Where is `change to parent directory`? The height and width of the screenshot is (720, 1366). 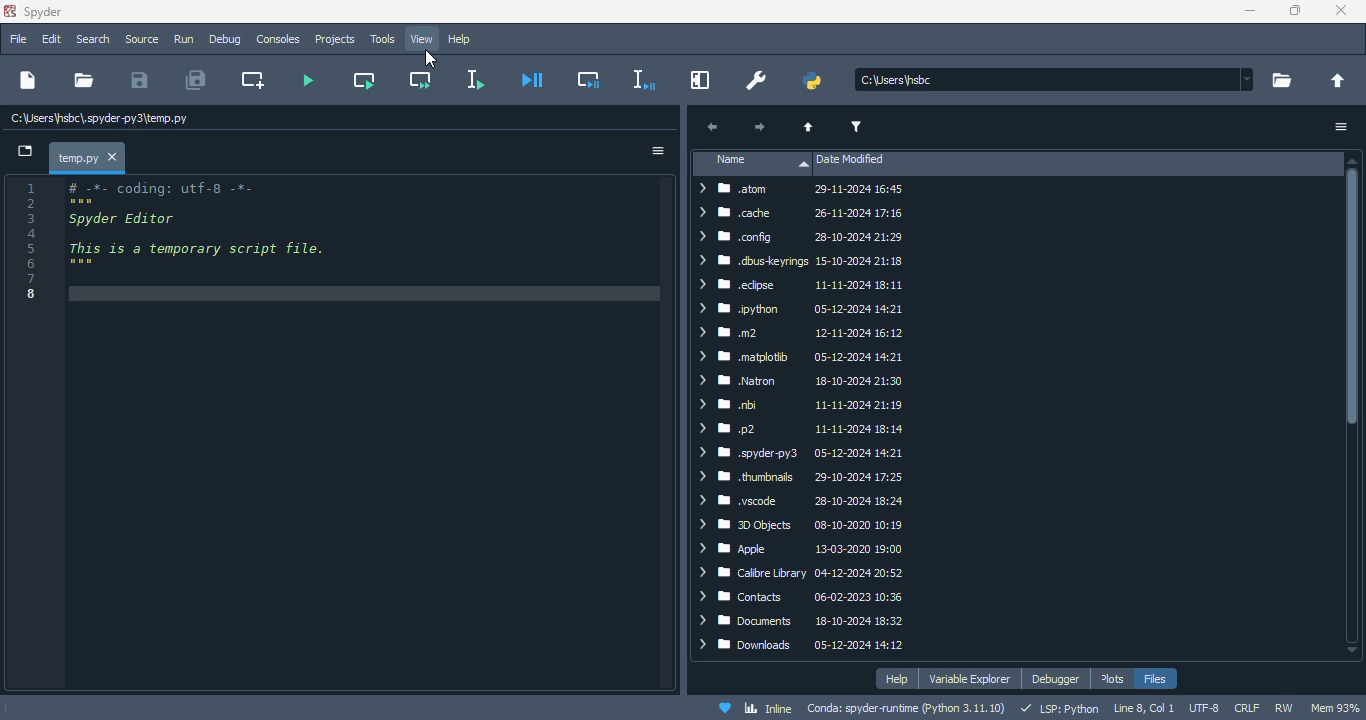 change to parent directory is located at coordinates (1339, 81).